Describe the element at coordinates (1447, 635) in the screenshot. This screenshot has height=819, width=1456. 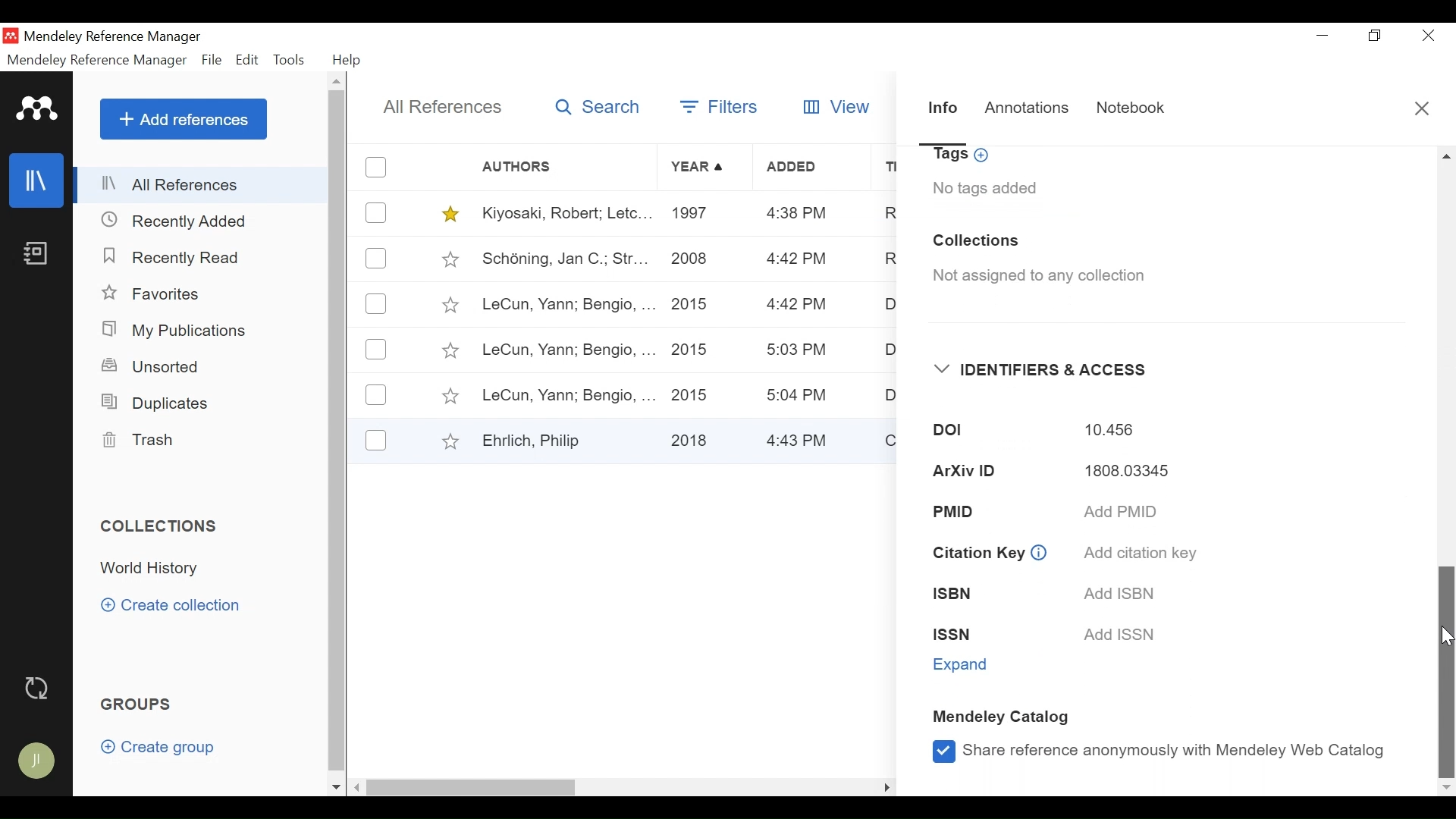
I see `Cursor` at that location.